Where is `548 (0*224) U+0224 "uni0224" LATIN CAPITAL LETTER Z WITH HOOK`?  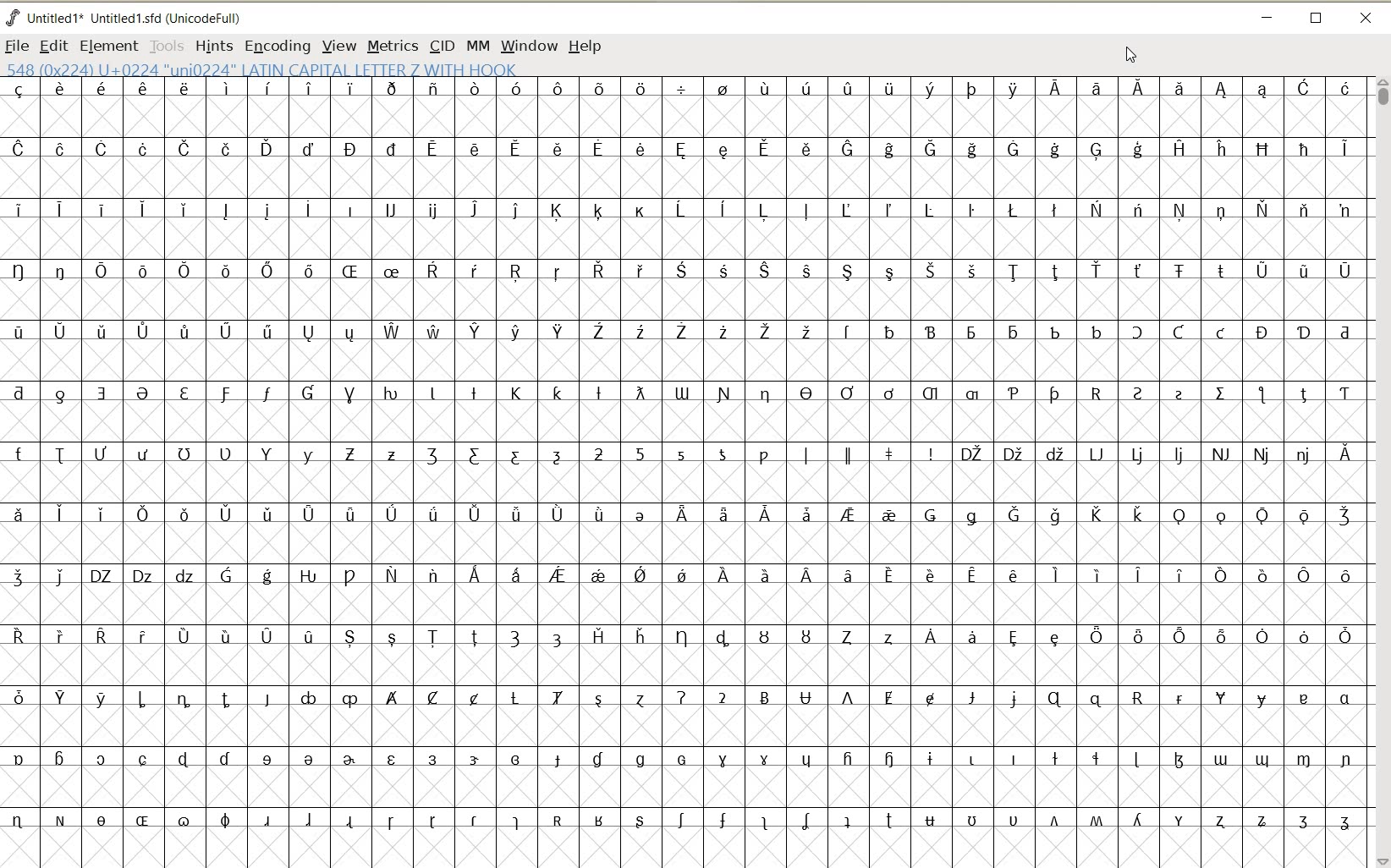 548 (0*224) U+0224 "uni0224" LATIN CAPITAL LETTER Z WITH HOOK is located at coordinates (276, 69).